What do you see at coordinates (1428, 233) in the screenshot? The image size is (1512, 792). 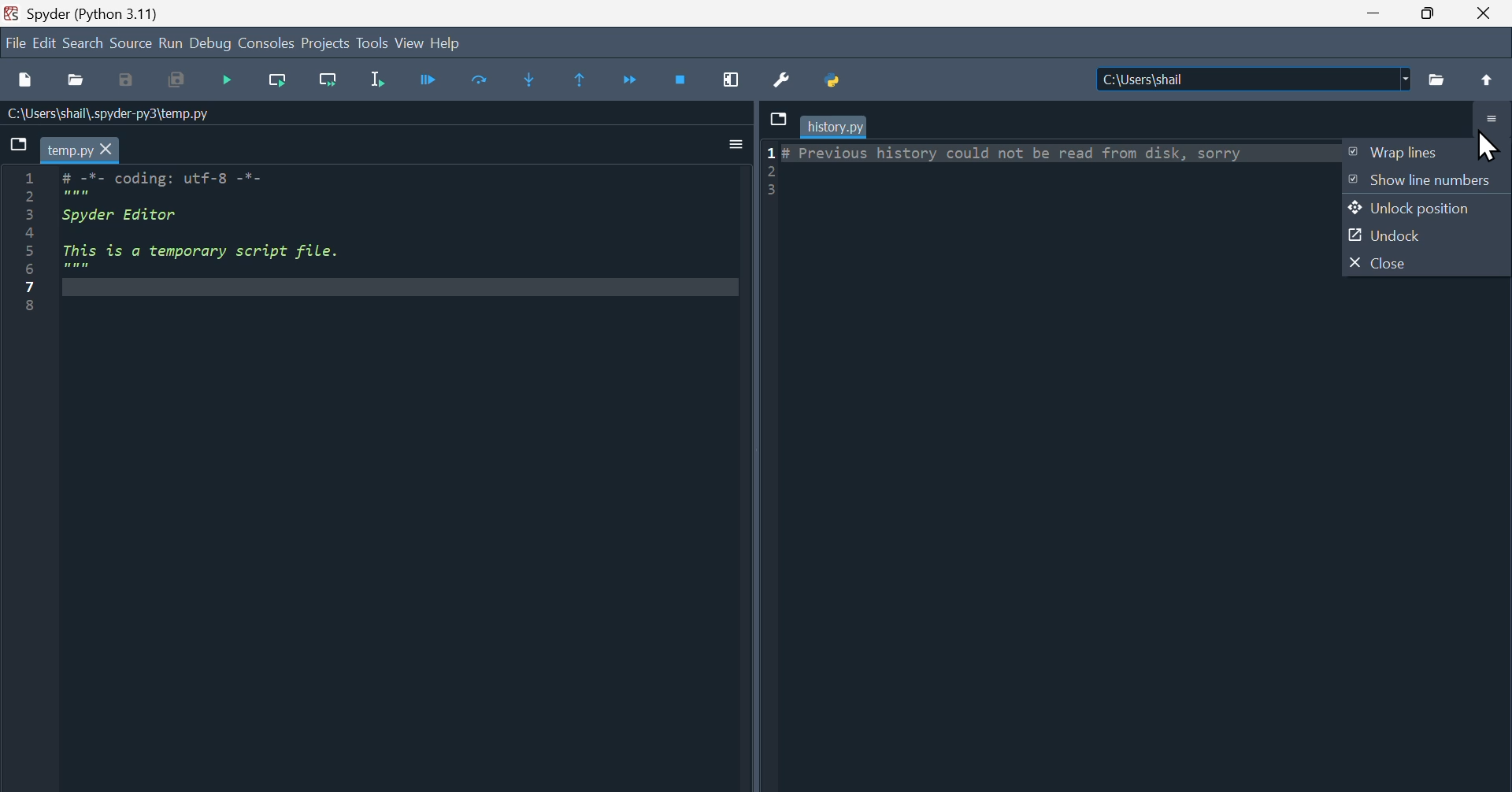 I see `Undock` at bounding box center [1428, 233].